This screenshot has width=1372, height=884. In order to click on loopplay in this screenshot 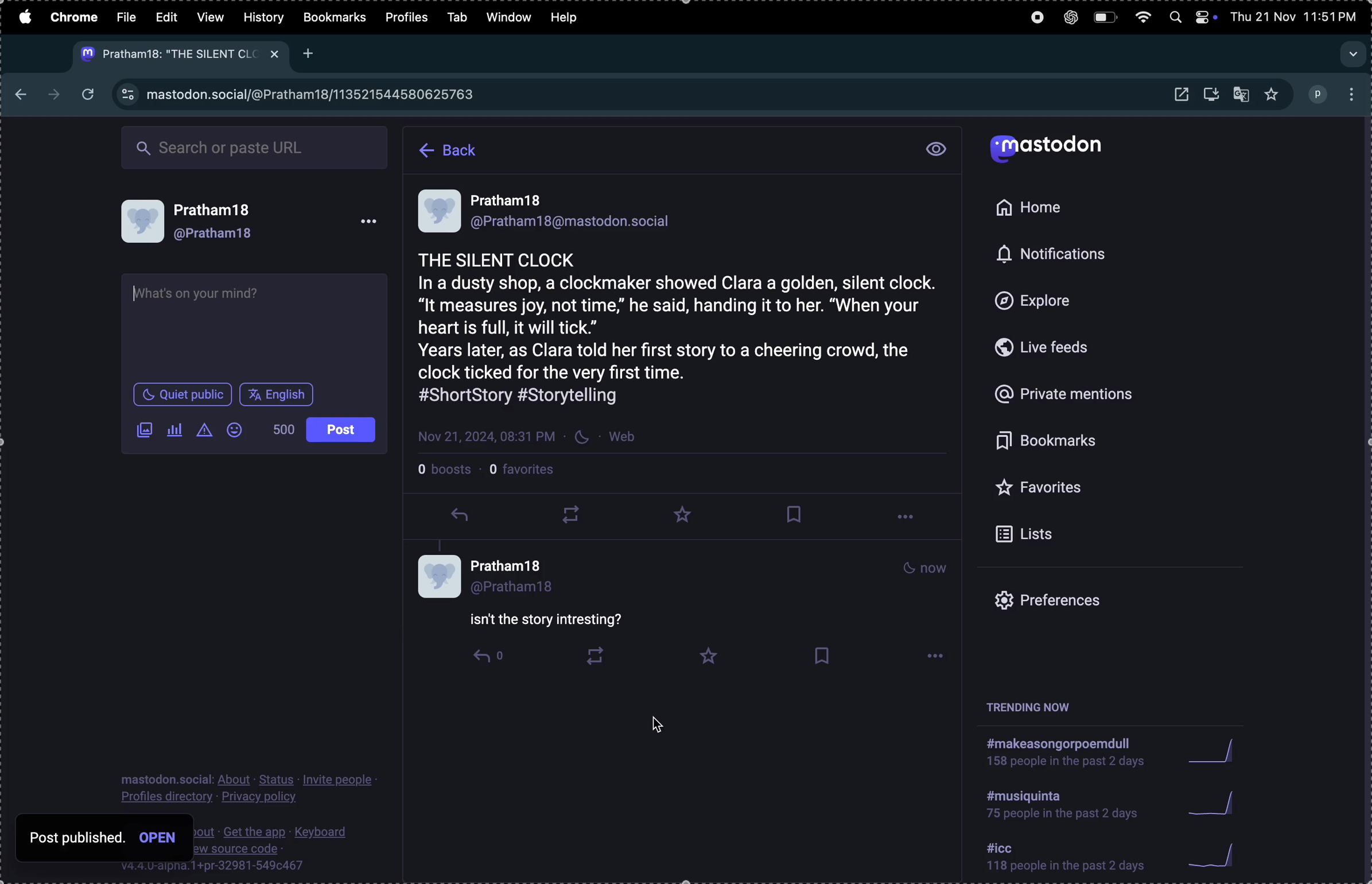, I will do `click(568, 514)`.